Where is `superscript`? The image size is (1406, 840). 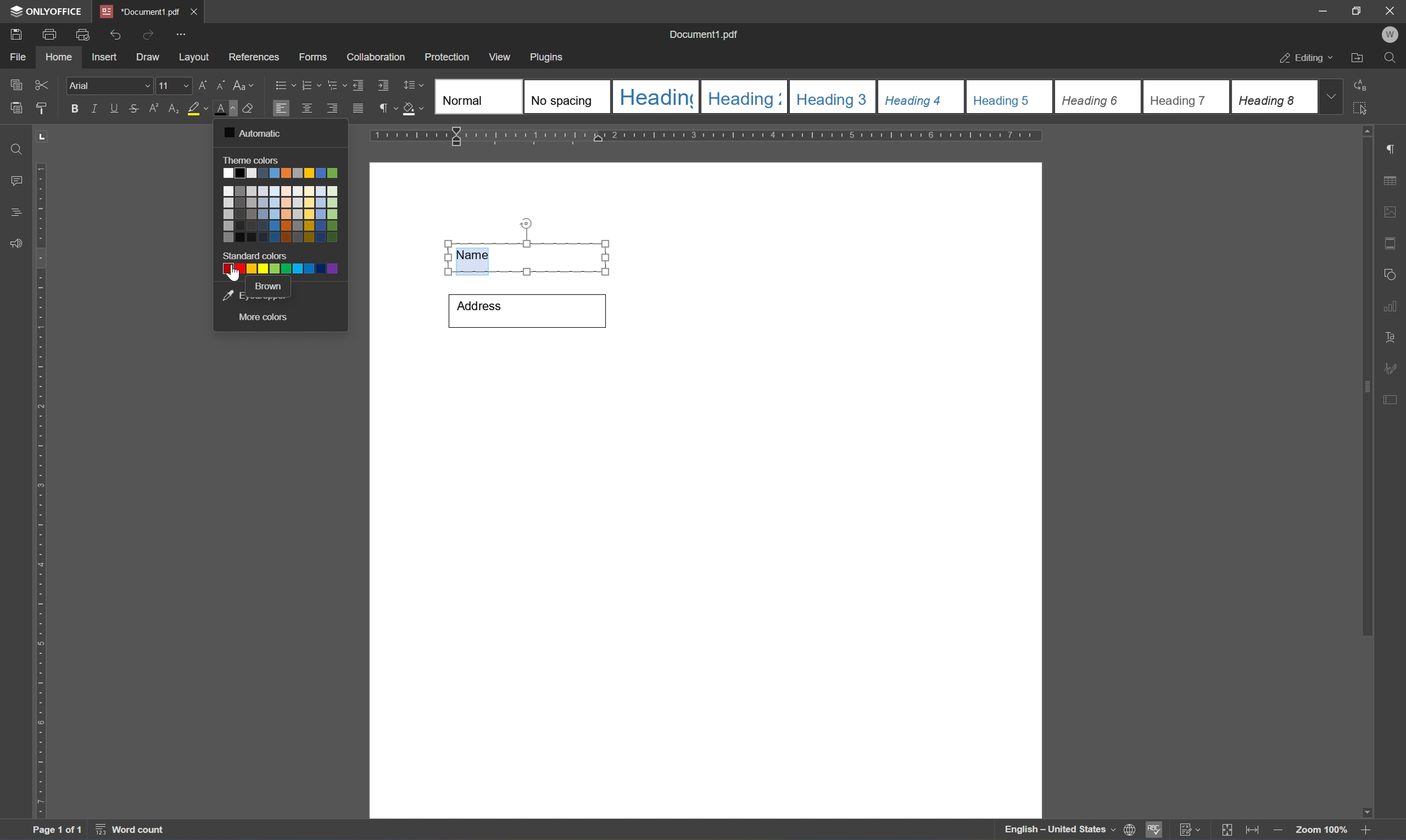
superscript is located at coordinates (153, 110).